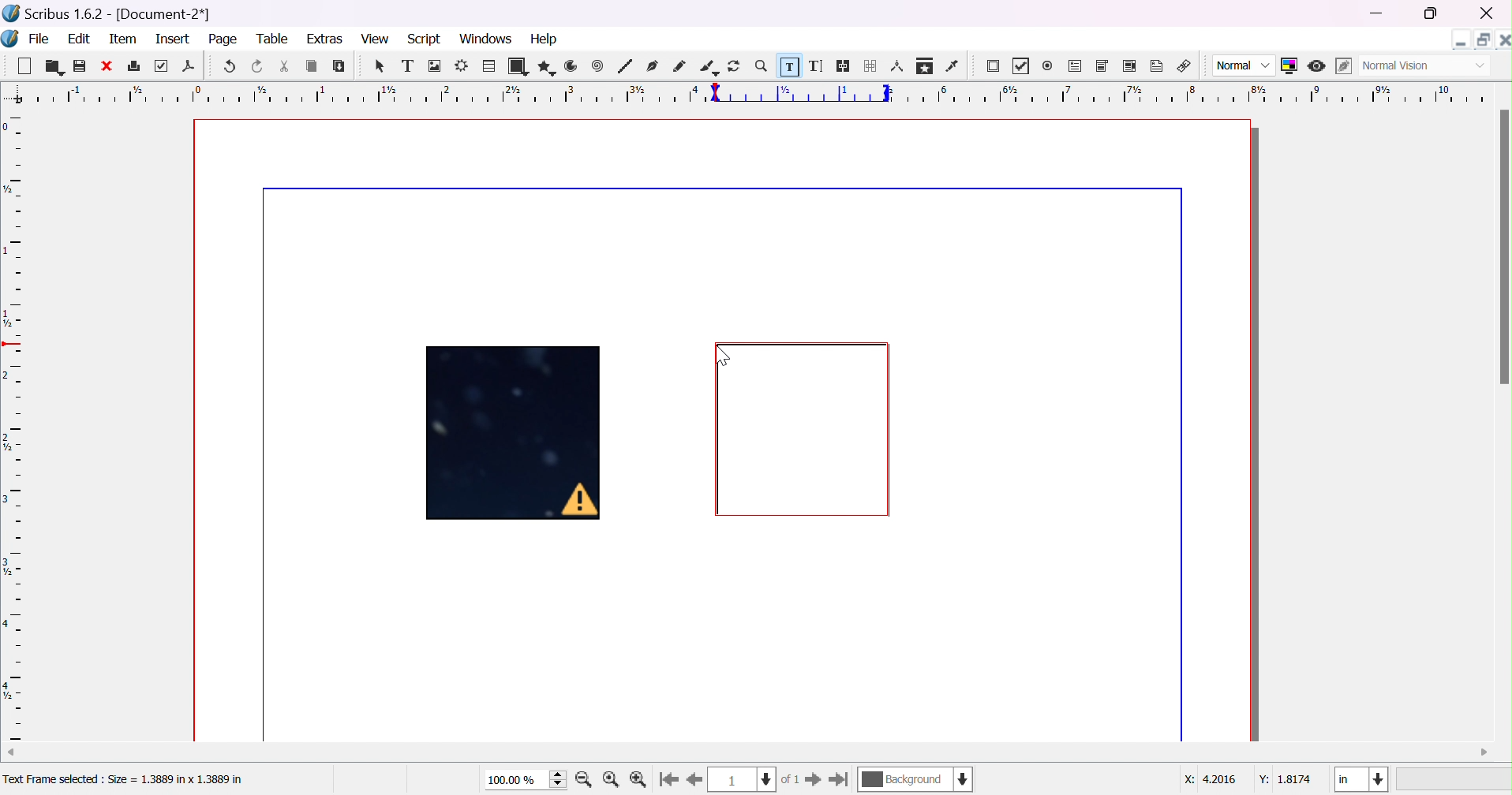  Describe the element at coordinates (175, 39) in the screenshot. I see `insert` at that location.